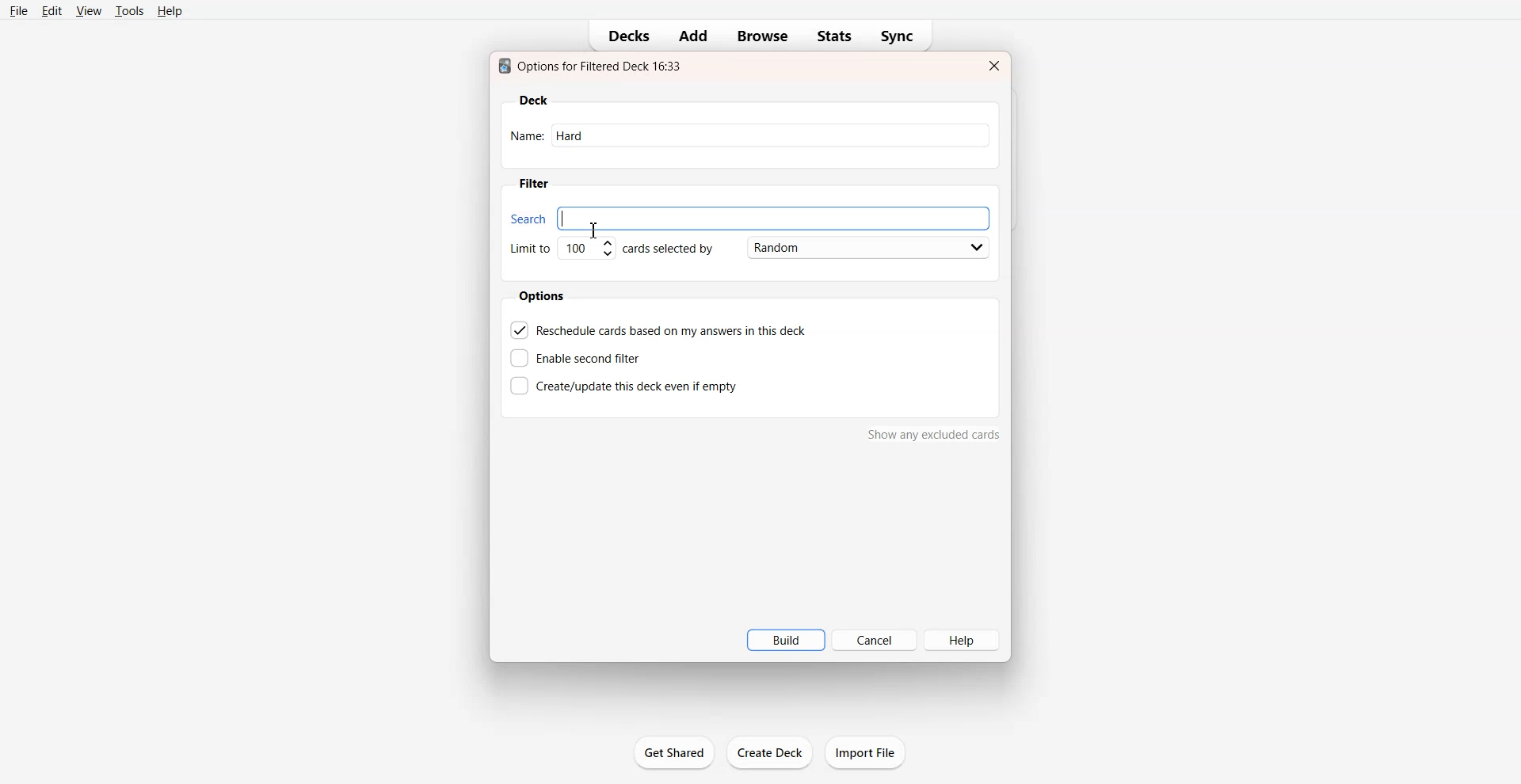 The height and width of the screenshot is (784, 1521). I want to click on Reschedule cards based on my answer, so click(660, 329).